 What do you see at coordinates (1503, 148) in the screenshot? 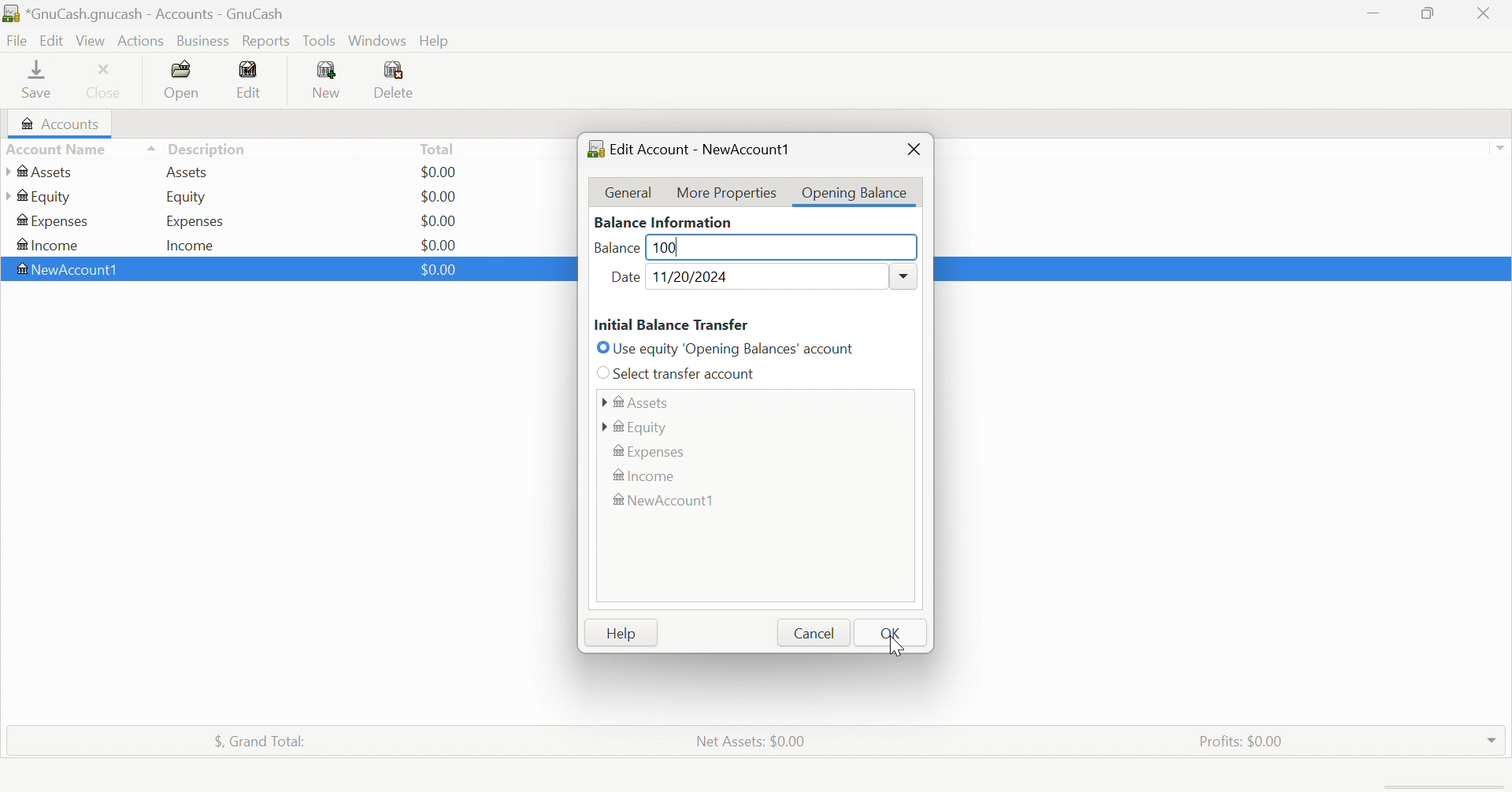
I see `drop down` at bounding box center [1503, 148].